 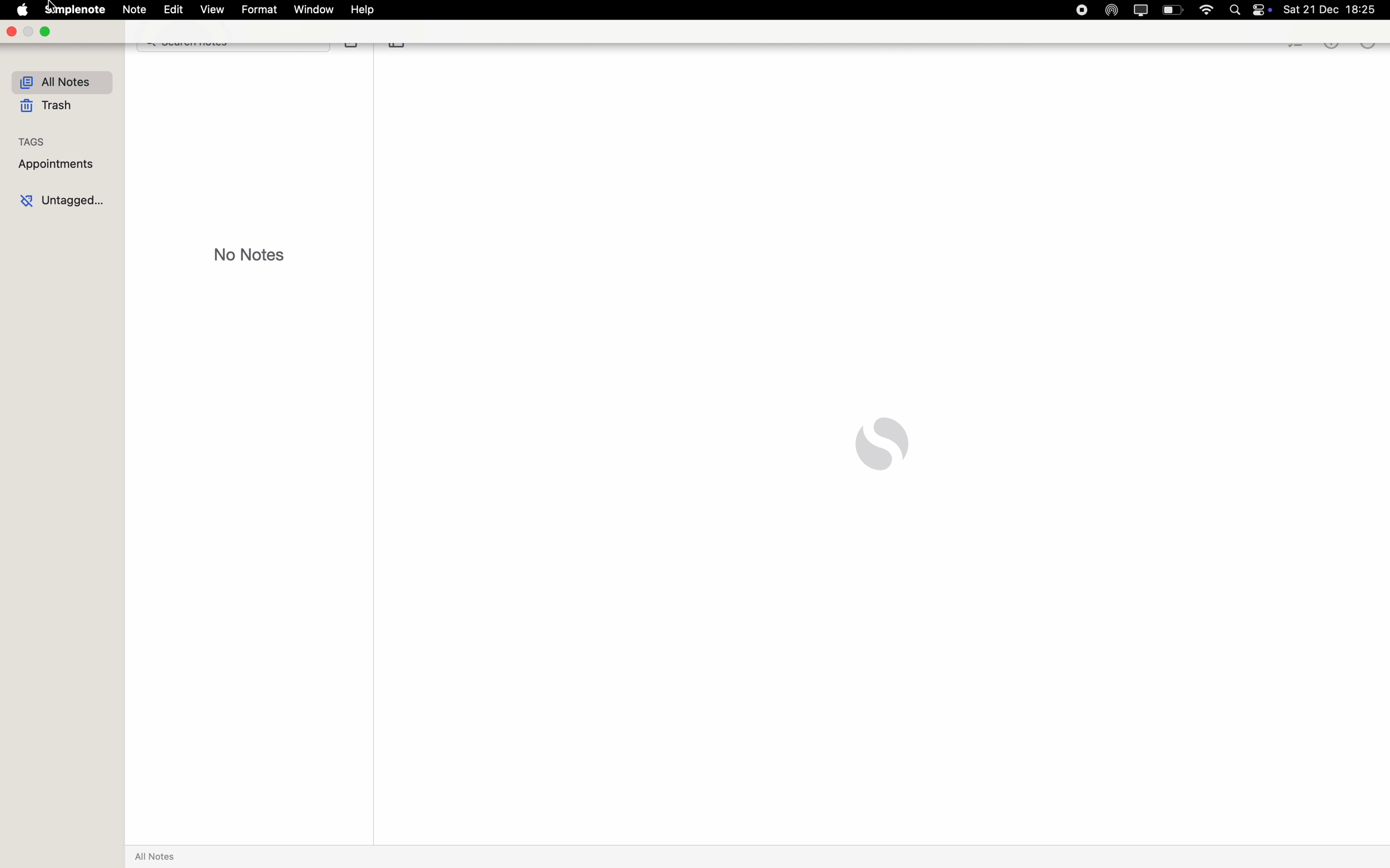 I want to click on metrics, so click(x=1332, y=49).